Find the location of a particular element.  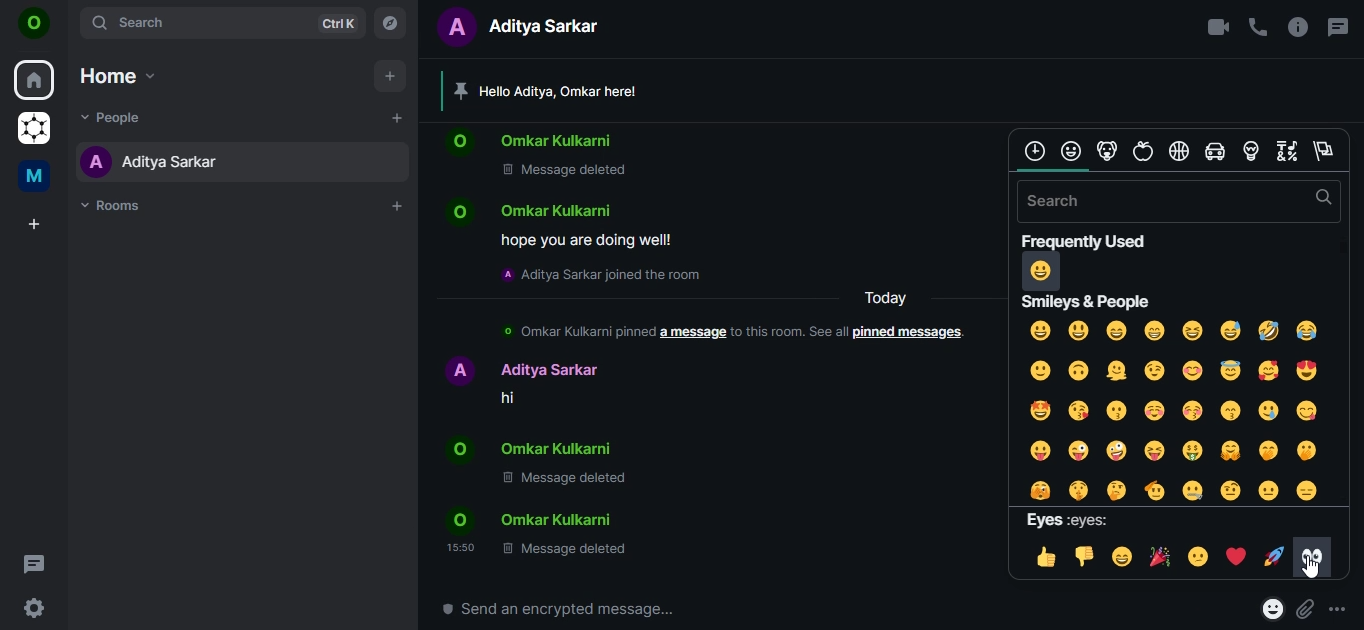

 is located at coordinates (1312, 555).